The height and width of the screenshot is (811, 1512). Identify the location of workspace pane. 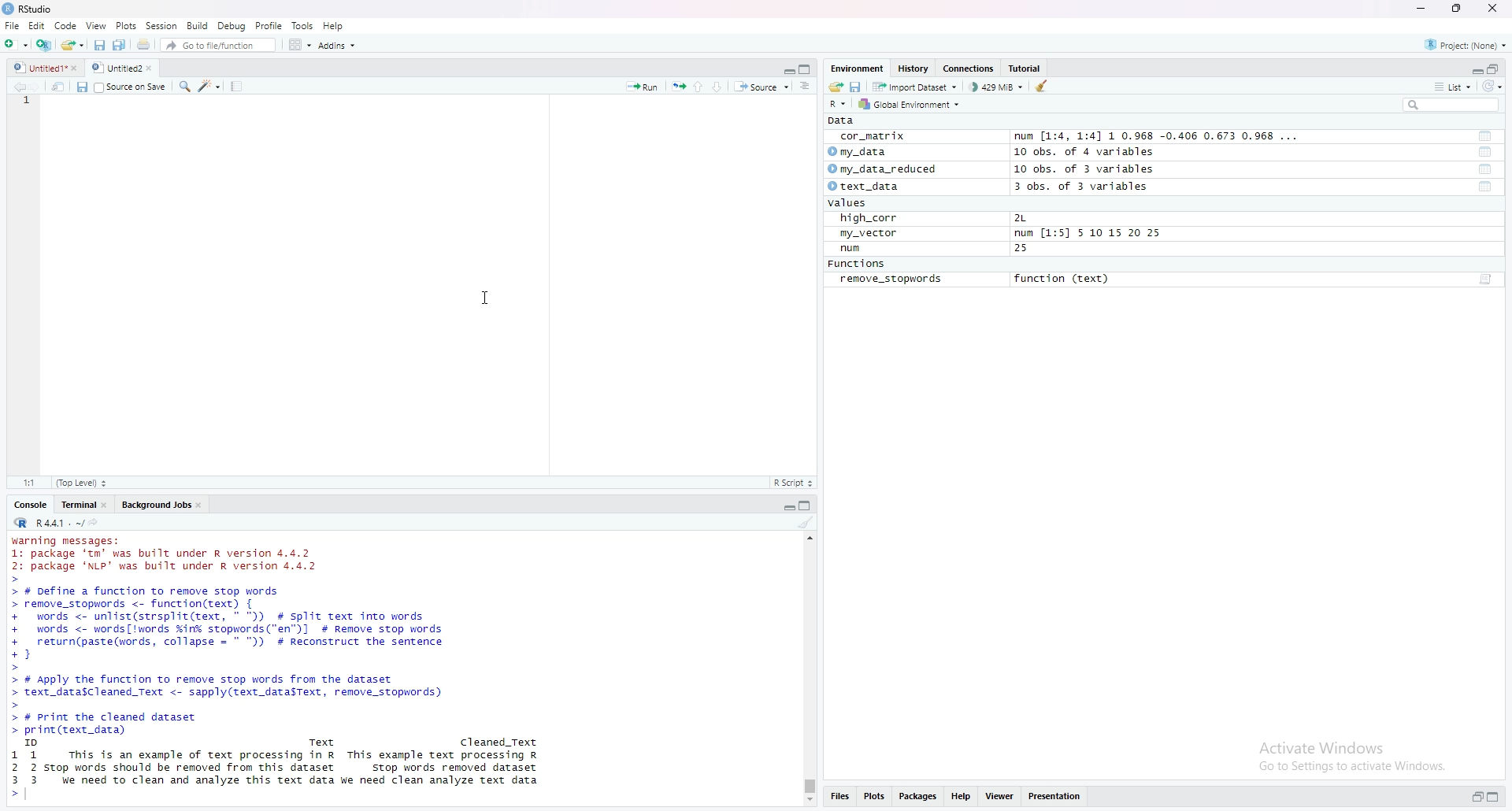
(298, 44).